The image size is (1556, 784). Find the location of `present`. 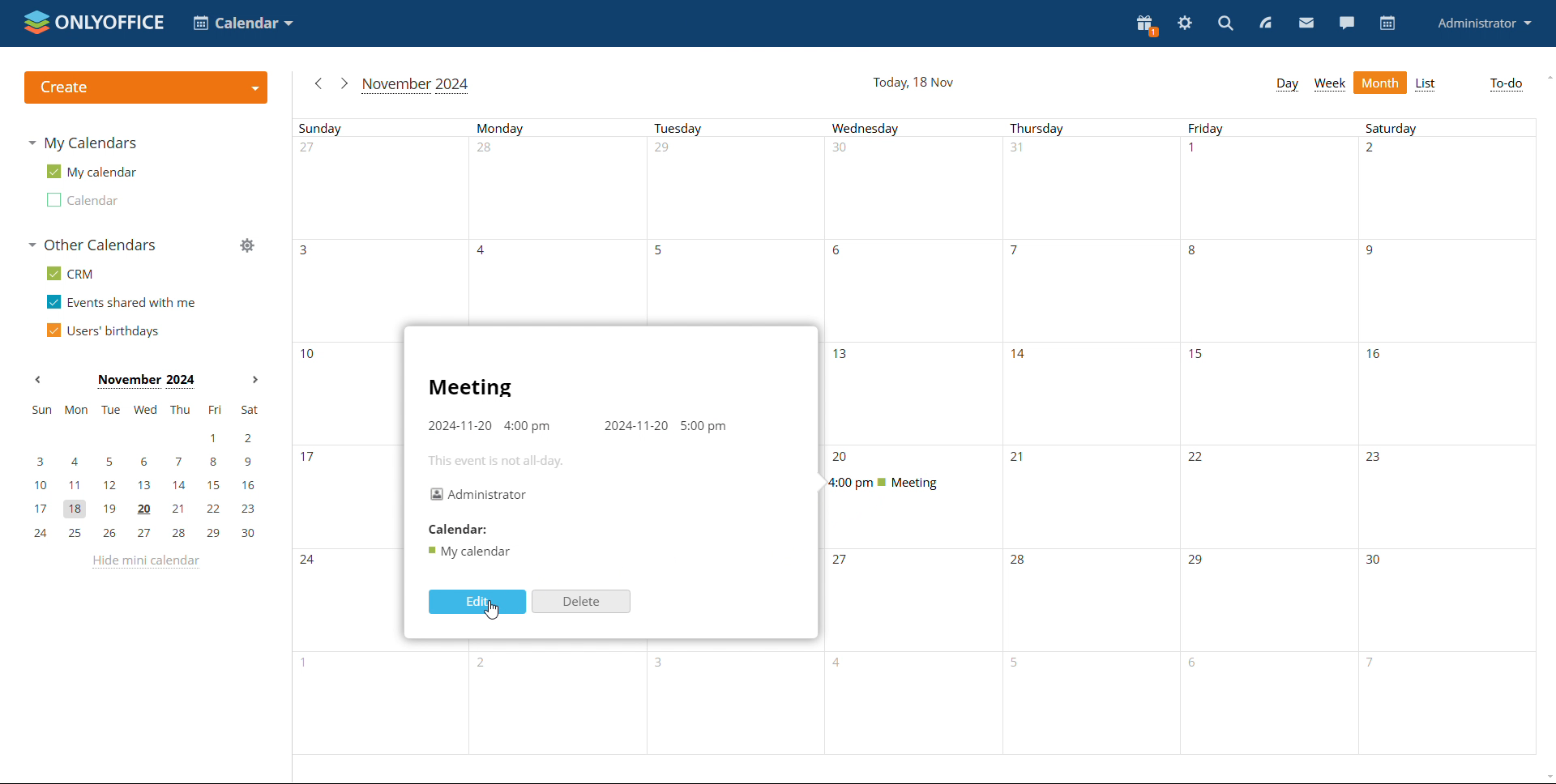

present is located at coordinates (1148, 24).